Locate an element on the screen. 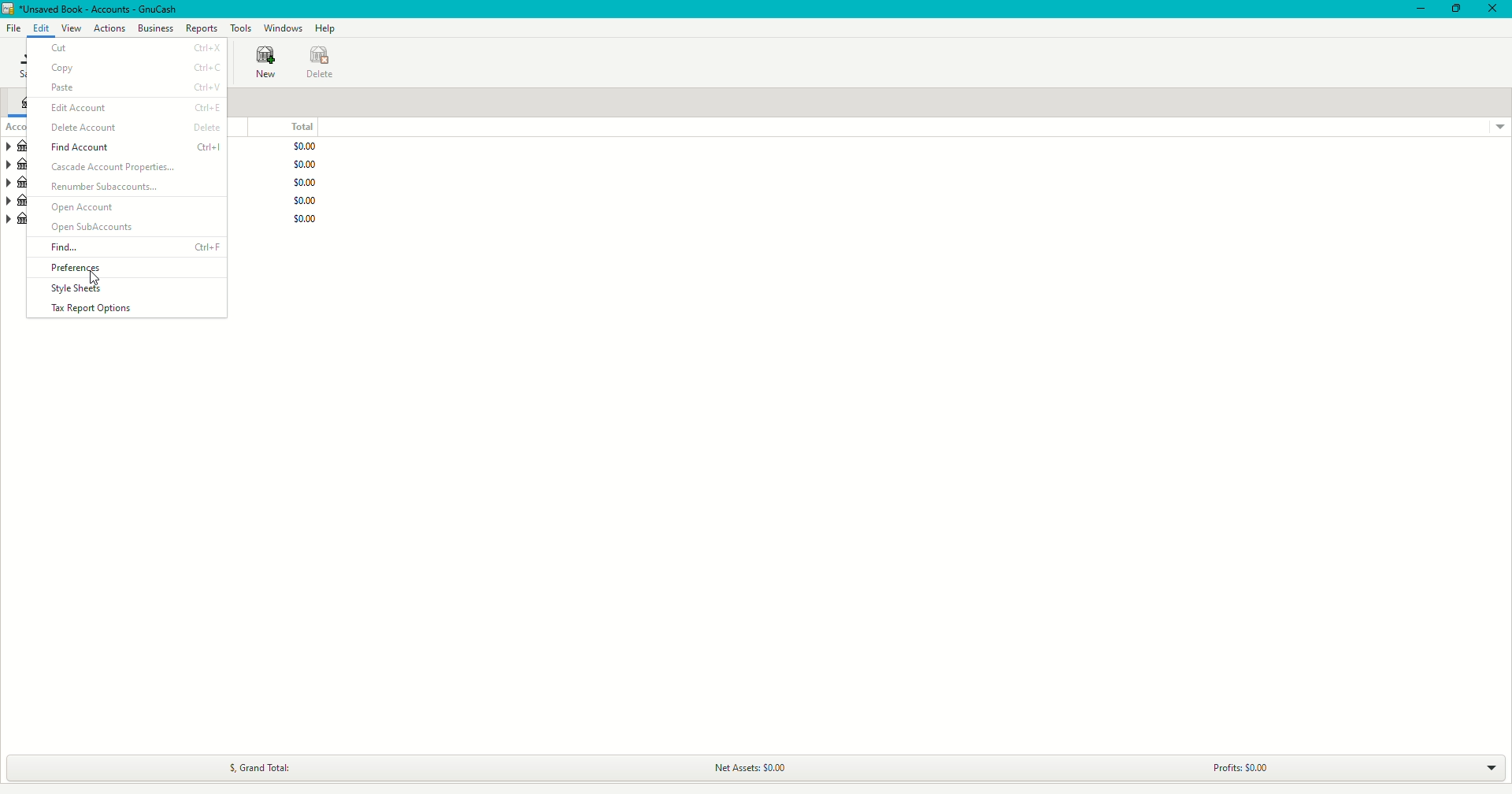 The width and height of the screenshot is (1512, 794). Windows is located at coordinates (282, 28).